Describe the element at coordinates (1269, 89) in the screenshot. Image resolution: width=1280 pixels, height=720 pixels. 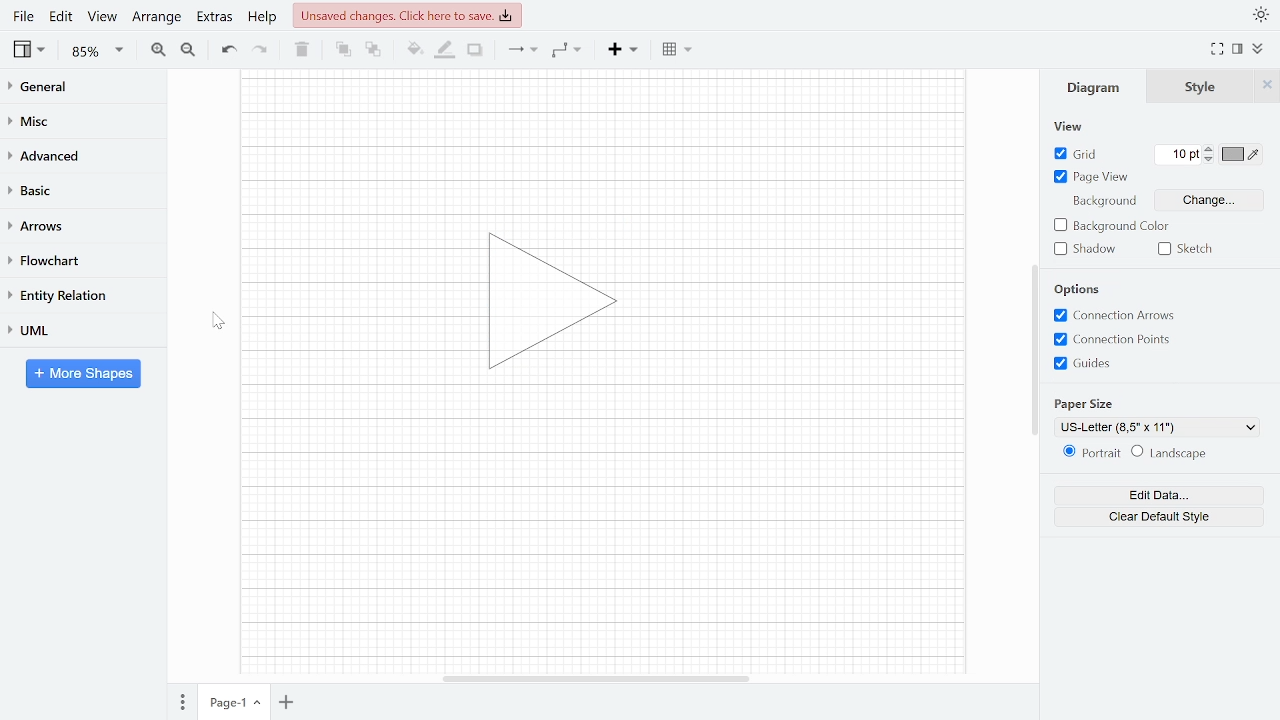
I see `close pane` at that location.